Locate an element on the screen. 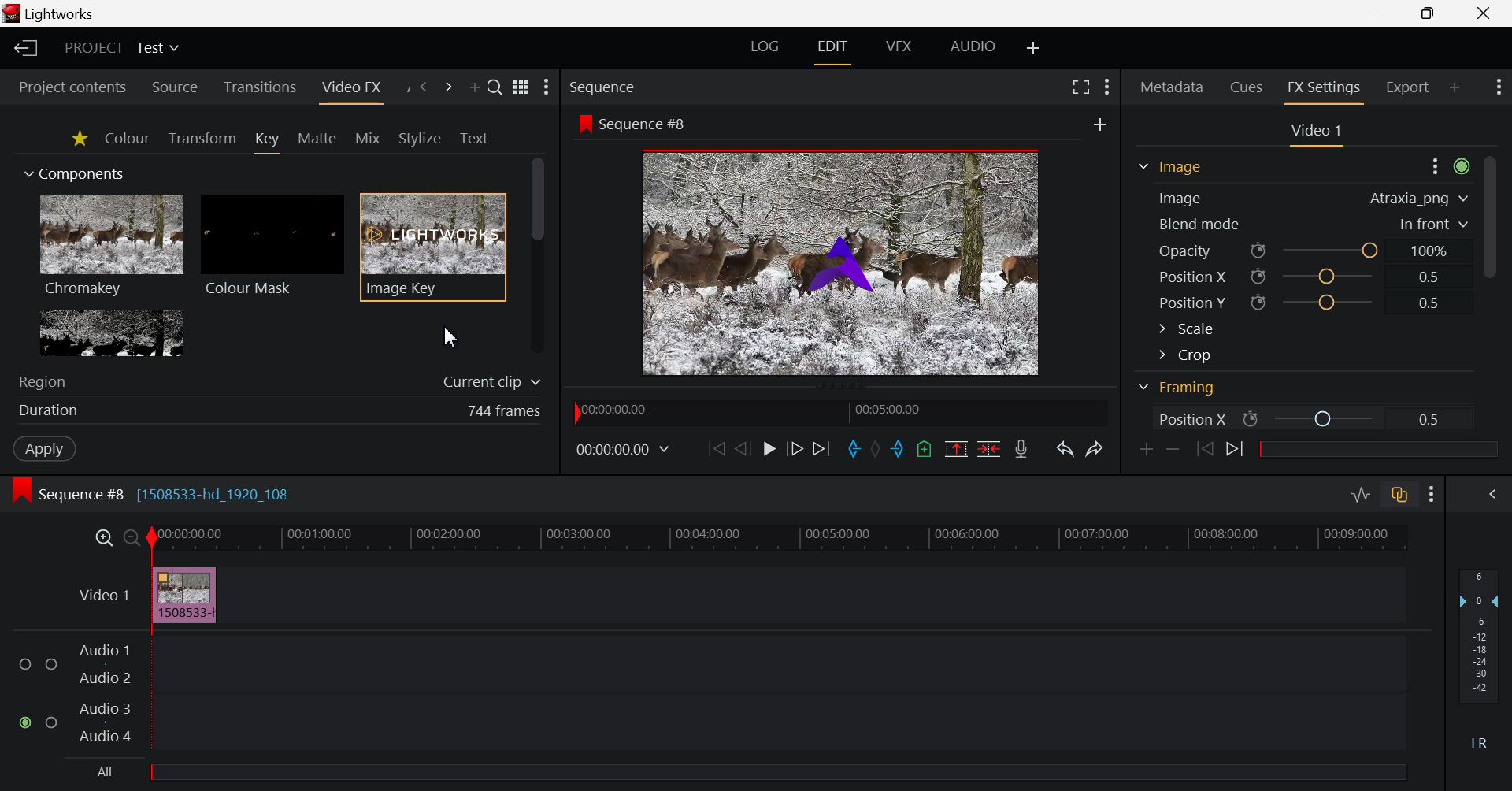 This screenshot has width=1512, height=791. Transform is located at coordinates (200, 139).